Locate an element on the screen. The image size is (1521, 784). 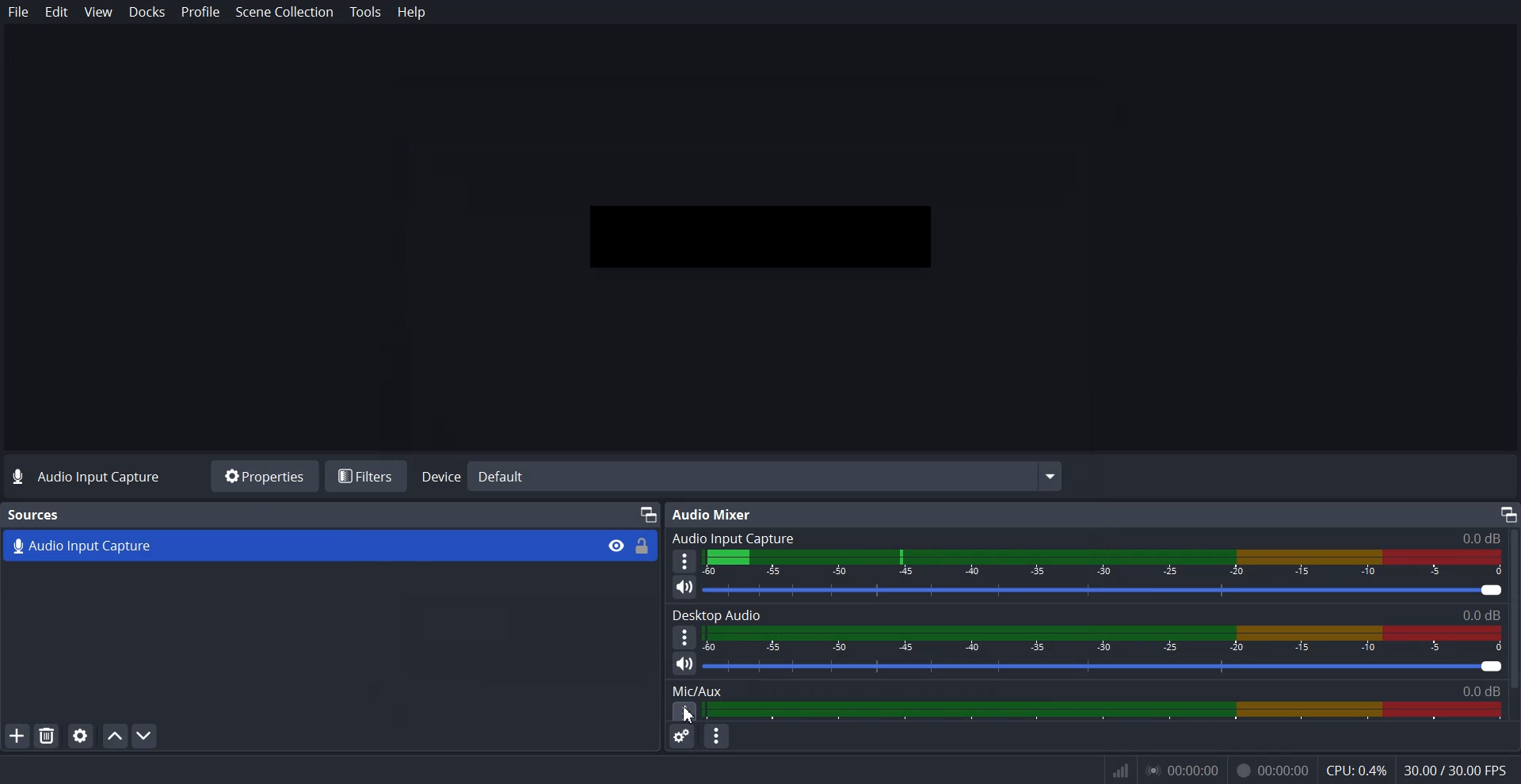
Help is located at coordinates (411, 12).